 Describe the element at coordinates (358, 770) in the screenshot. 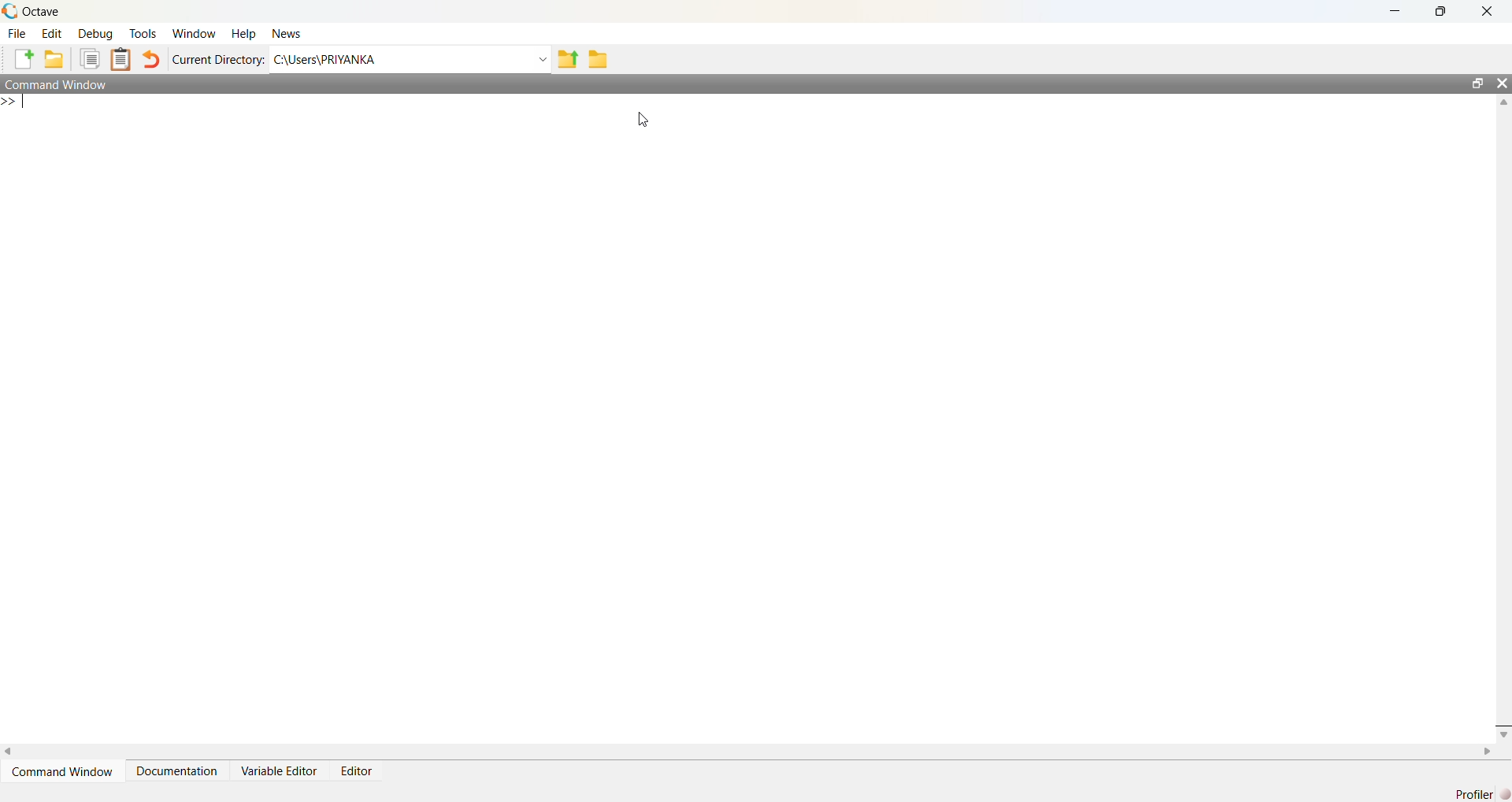

I see `Editor` at that location.